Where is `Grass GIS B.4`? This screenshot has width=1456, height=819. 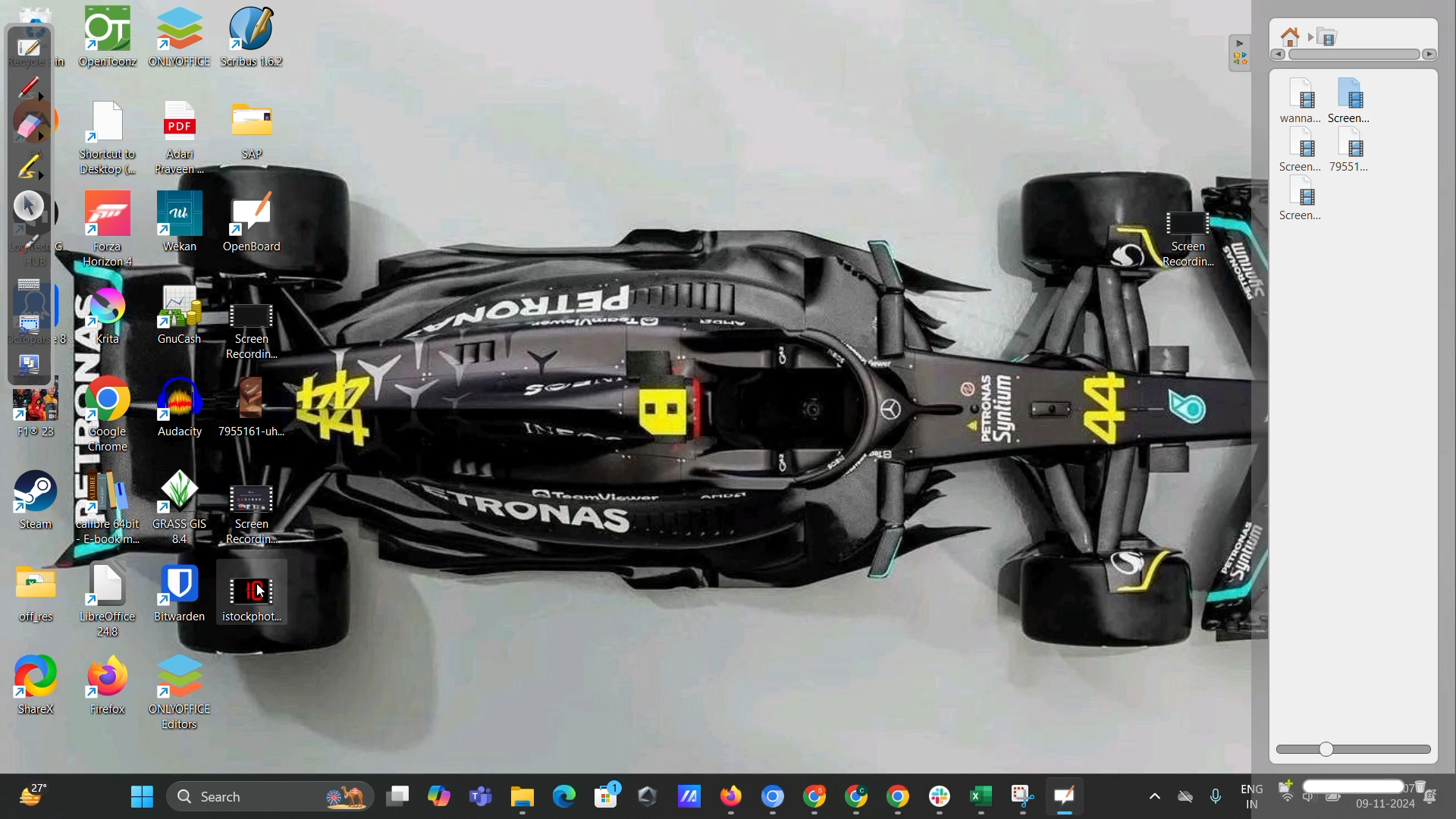
Grass GIS B.4 is located at coordinates (180, 506).